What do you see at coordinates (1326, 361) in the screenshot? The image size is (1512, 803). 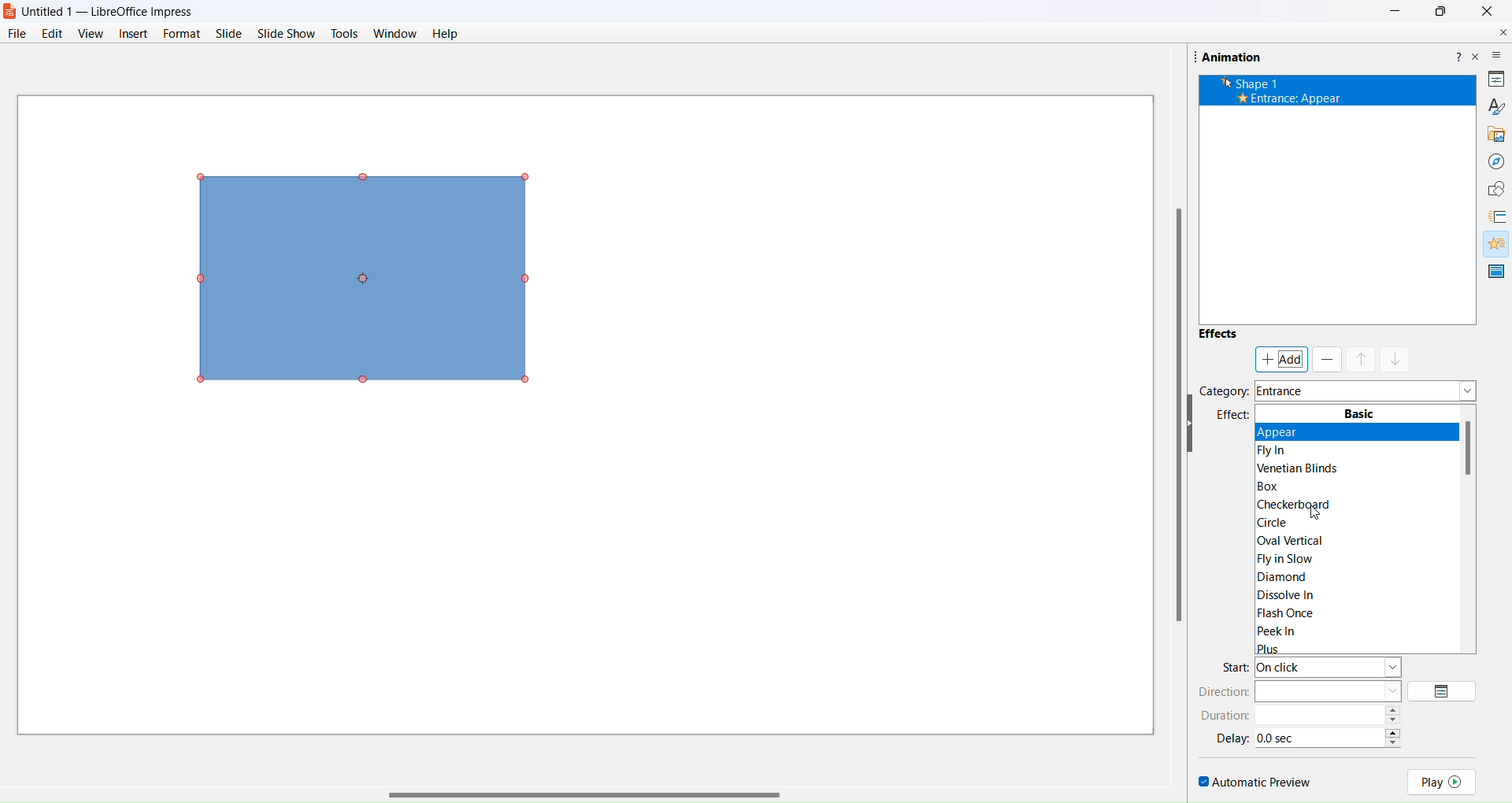 I see `remove` at bounding box center [1326, 361].